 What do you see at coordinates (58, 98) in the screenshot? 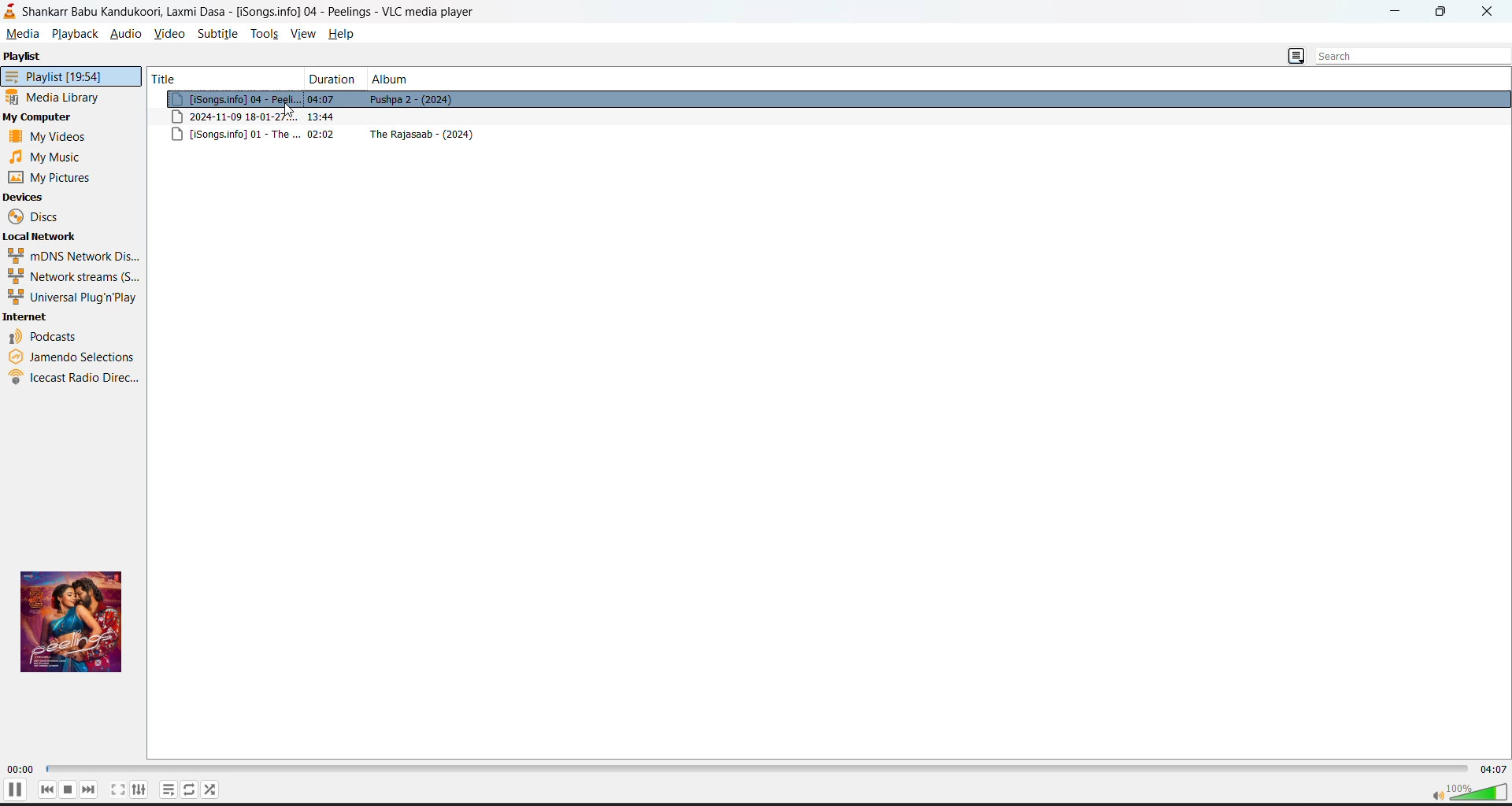
I see `media library` at bounding box center [58, 98].